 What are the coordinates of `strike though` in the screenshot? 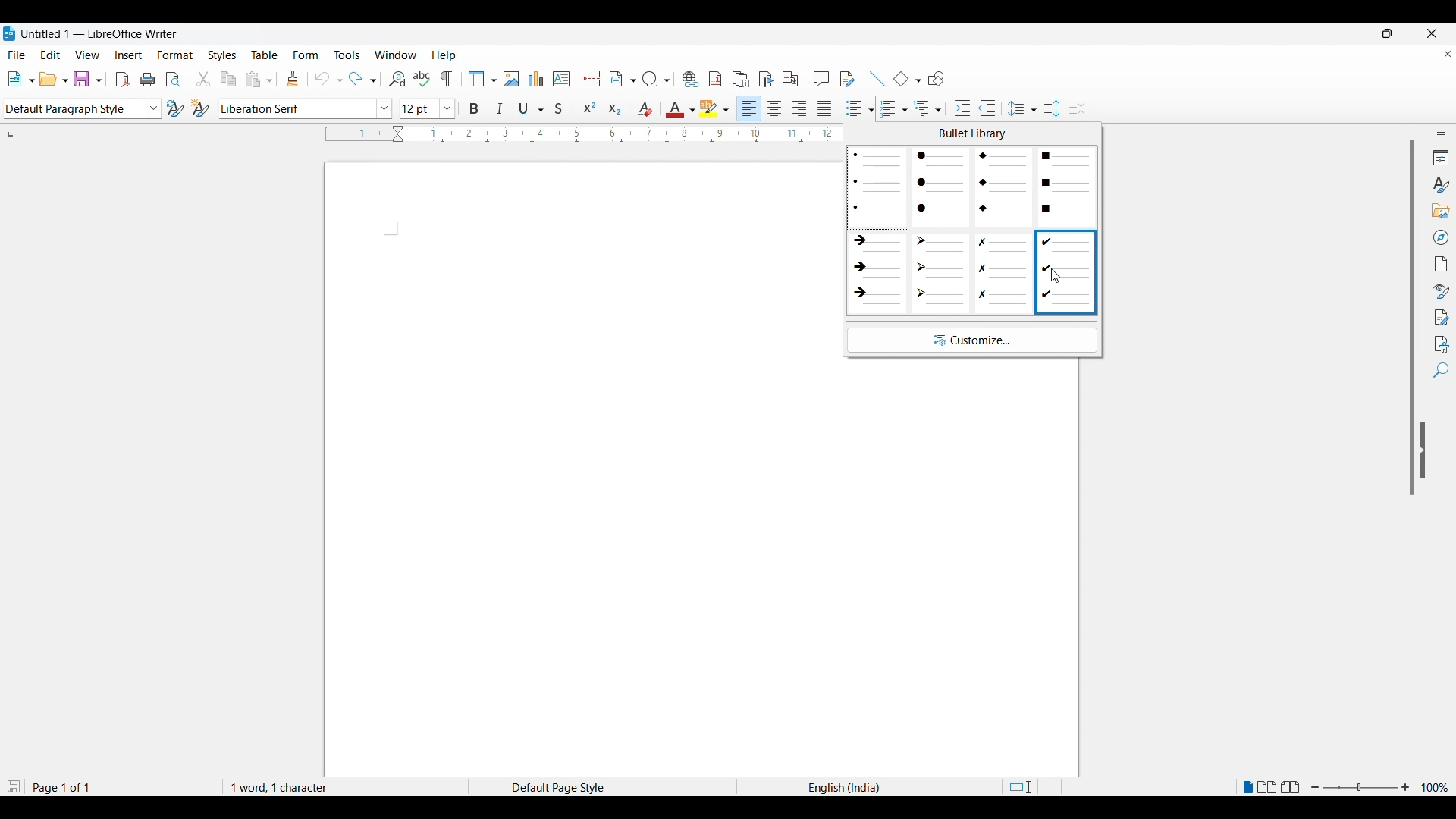 It's located at (563, 108).